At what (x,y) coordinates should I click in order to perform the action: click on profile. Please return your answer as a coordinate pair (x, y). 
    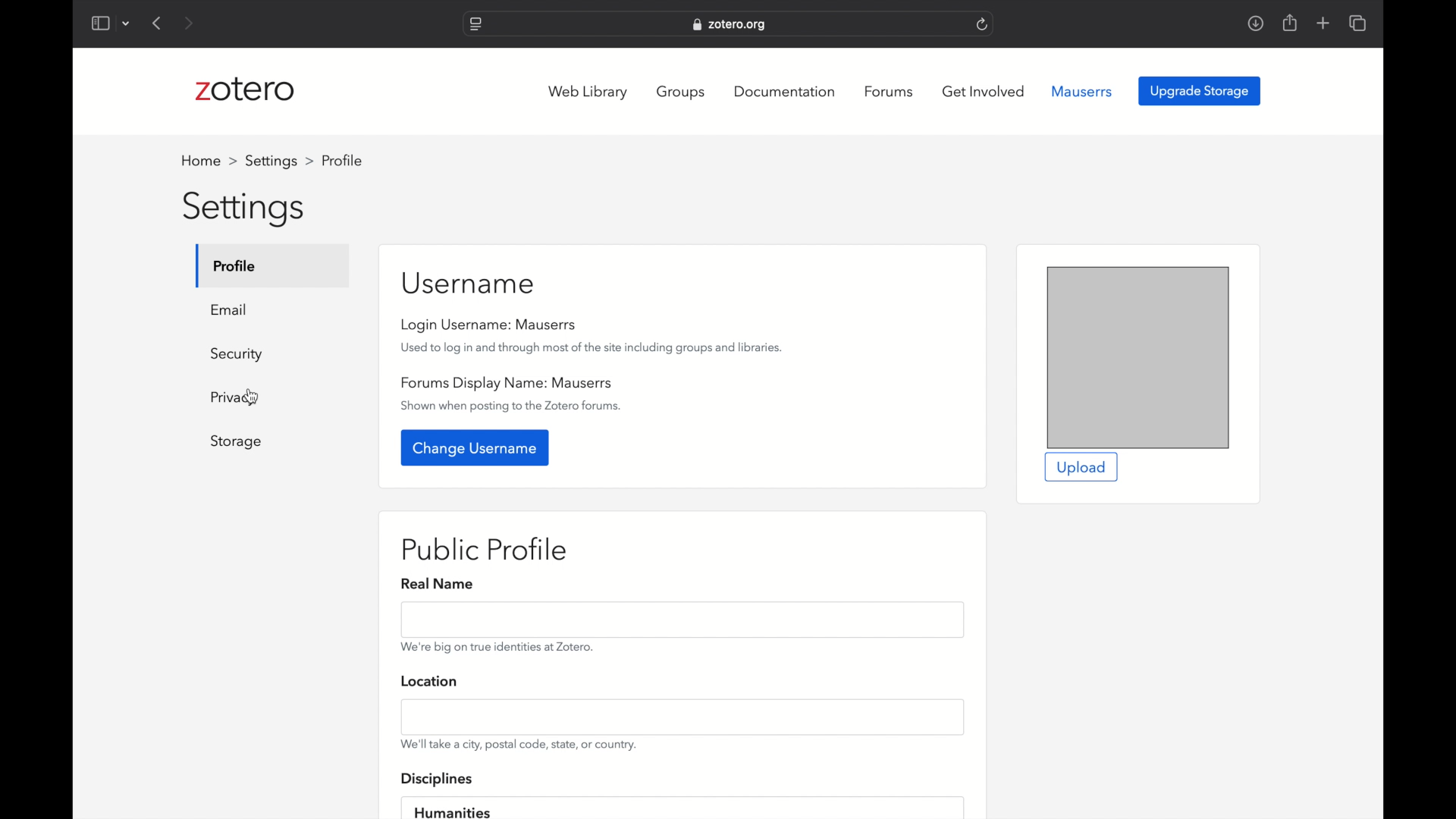
    Looking at the image, I should click on (342, 161).